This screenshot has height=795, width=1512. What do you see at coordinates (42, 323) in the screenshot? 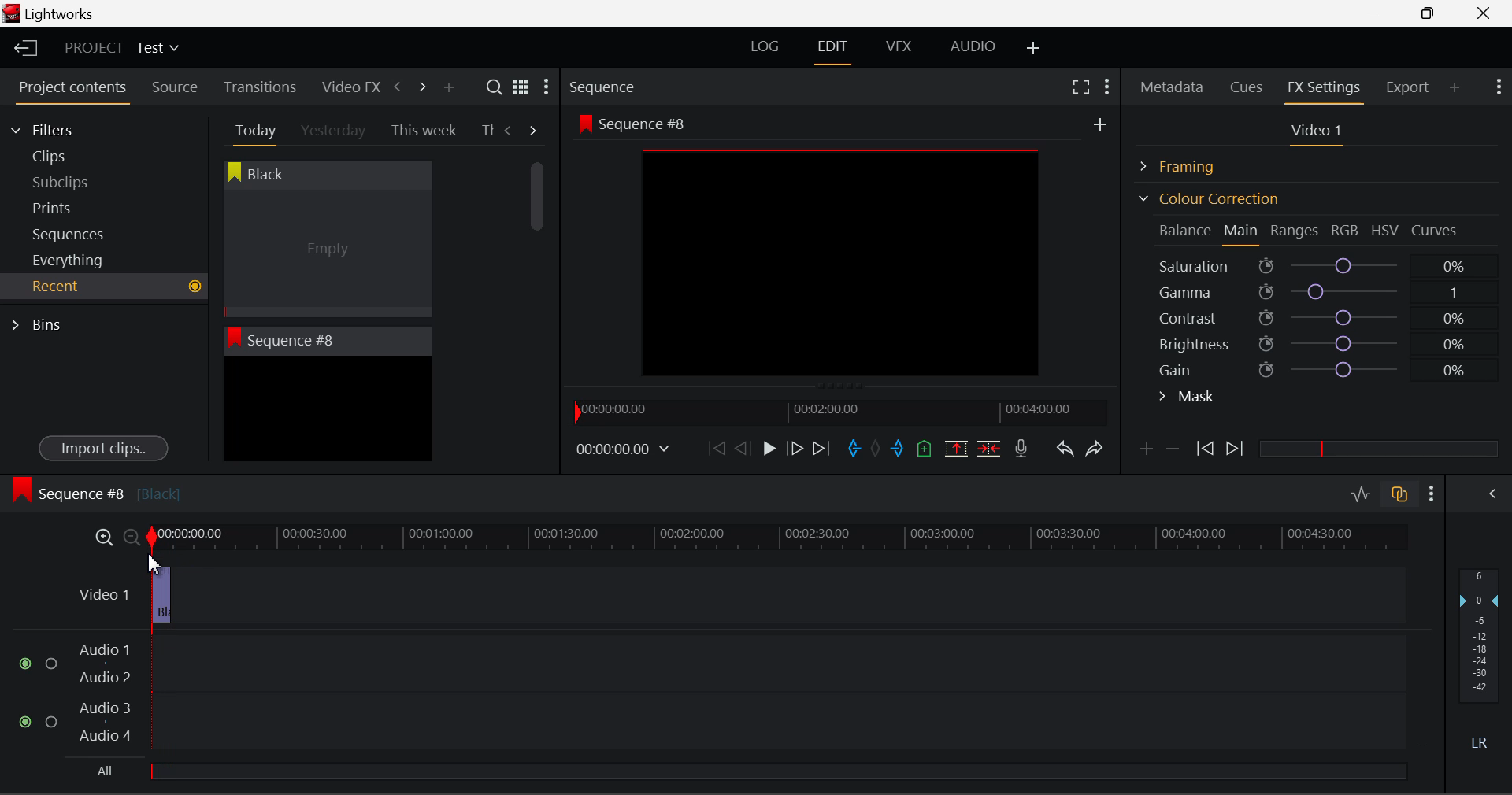
I see `Bins` at bounding box center [42, 323].